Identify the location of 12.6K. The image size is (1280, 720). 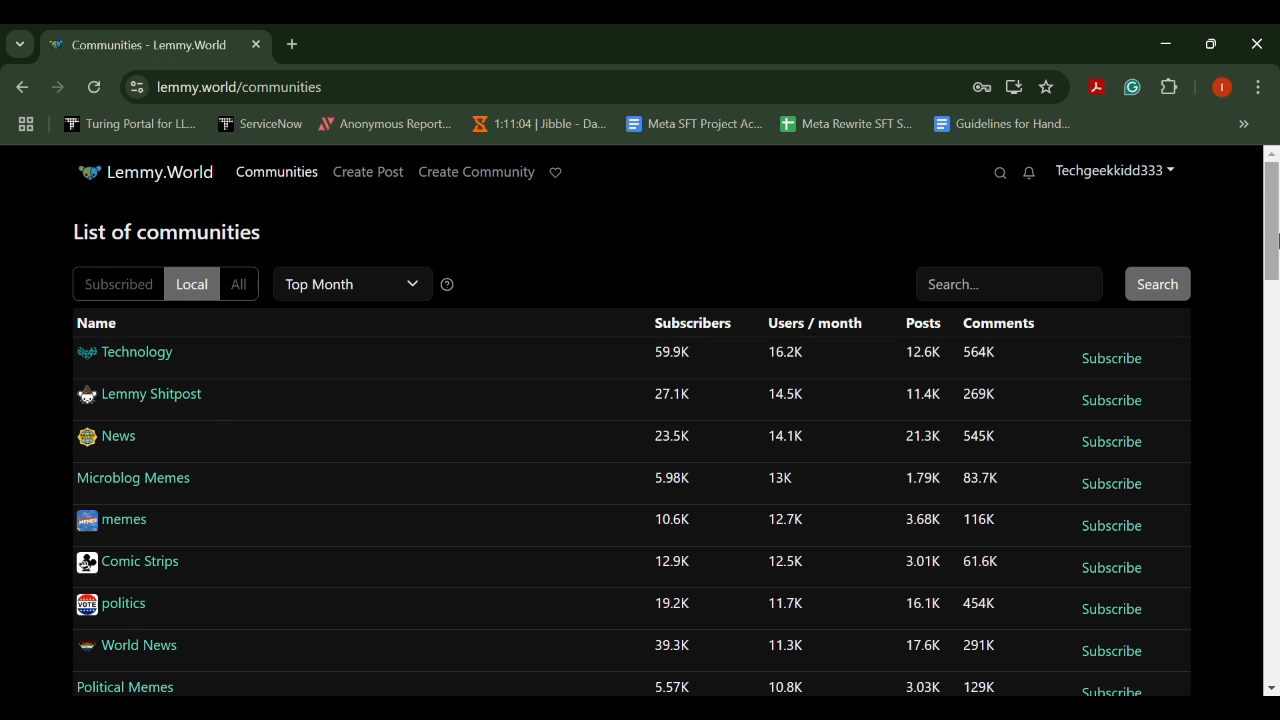
(923, 354).